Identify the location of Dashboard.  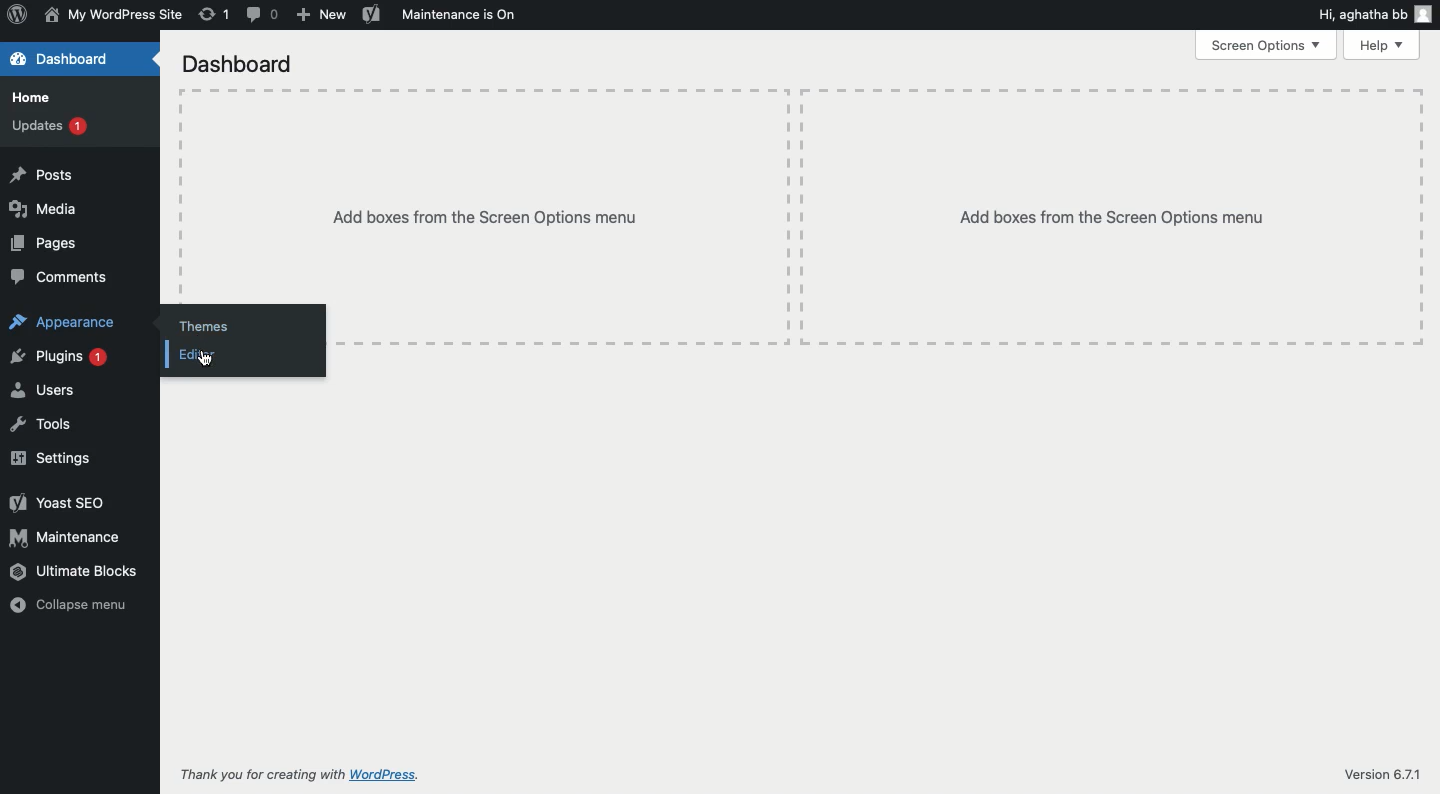
(61, 61).